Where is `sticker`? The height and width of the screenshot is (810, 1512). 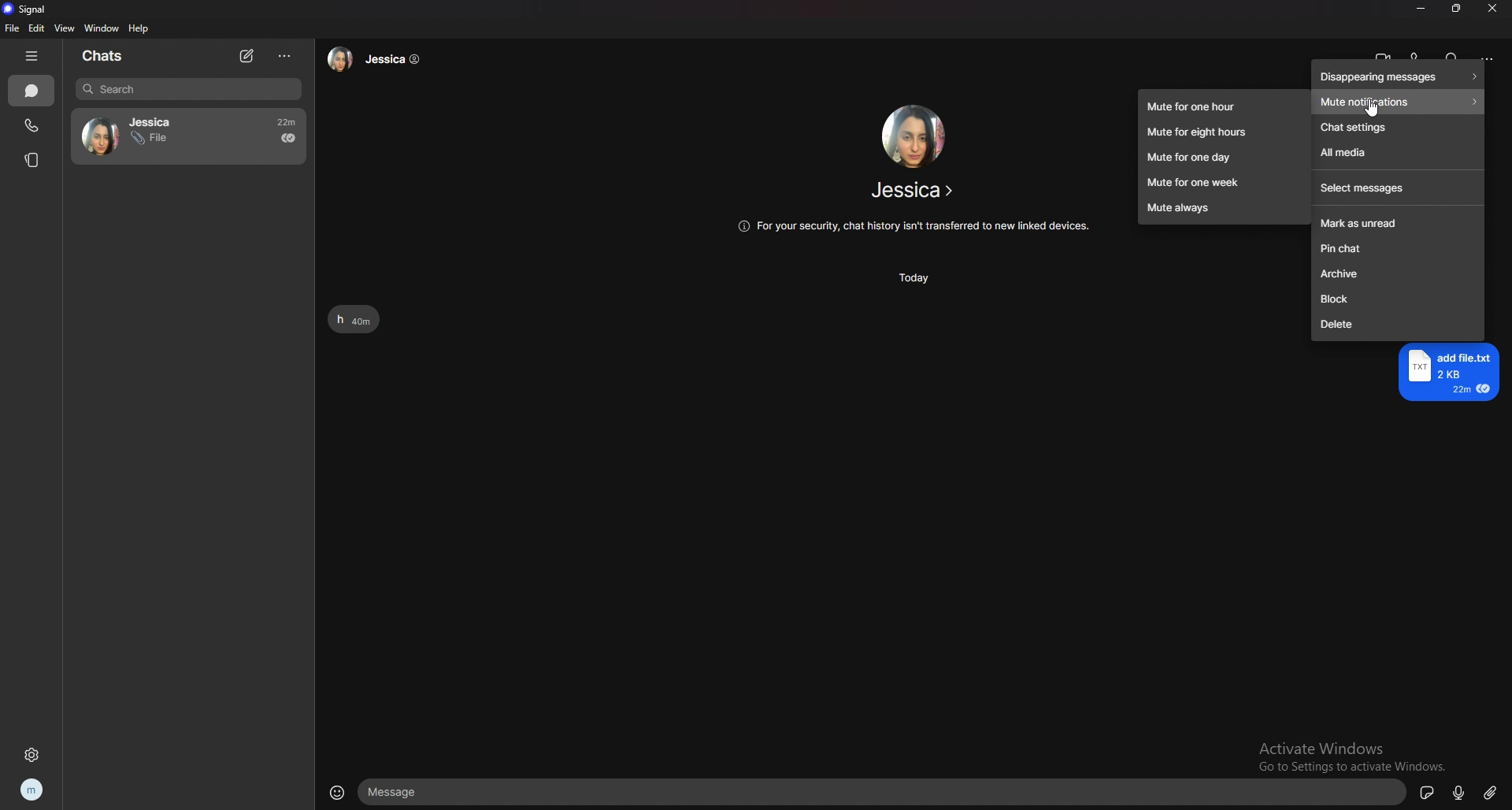 sticker is located at coordinates (1428, 791).